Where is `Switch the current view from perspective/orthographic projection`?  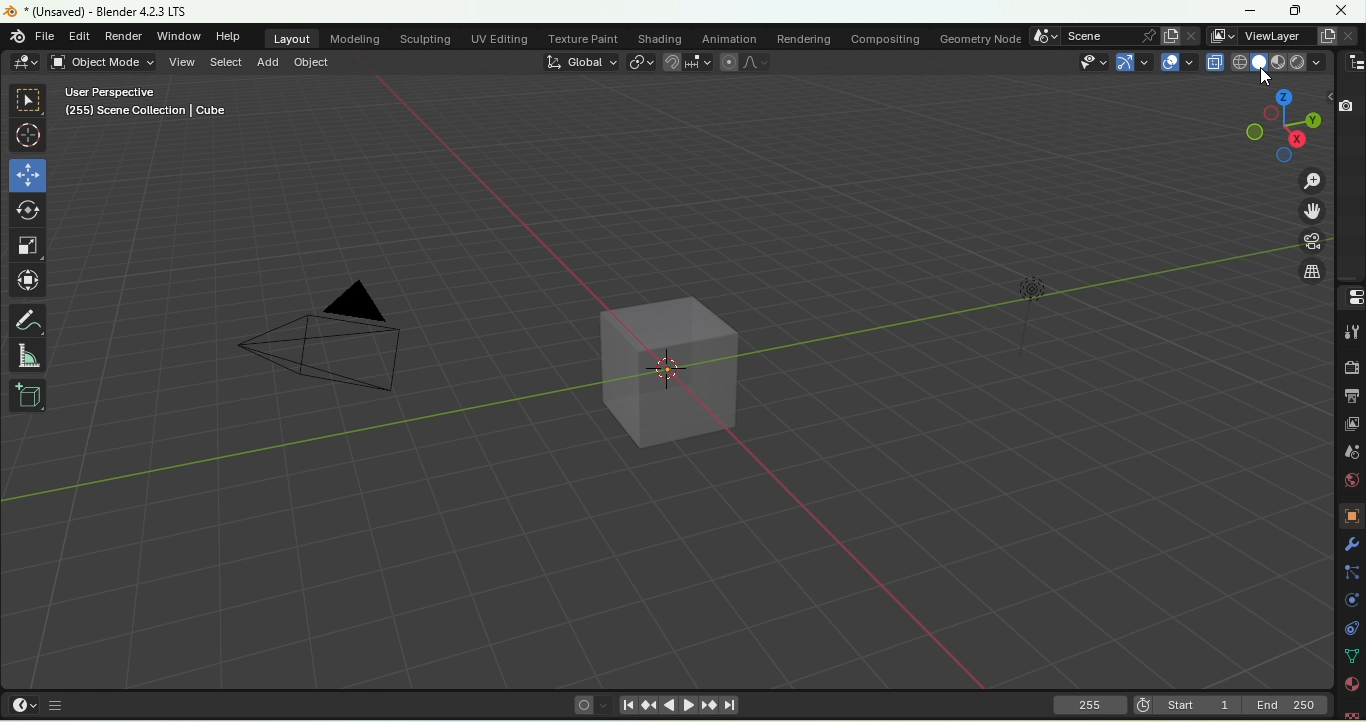 Switch the current view from perspective/orthographic projection is located at coordinates (1308, 273).